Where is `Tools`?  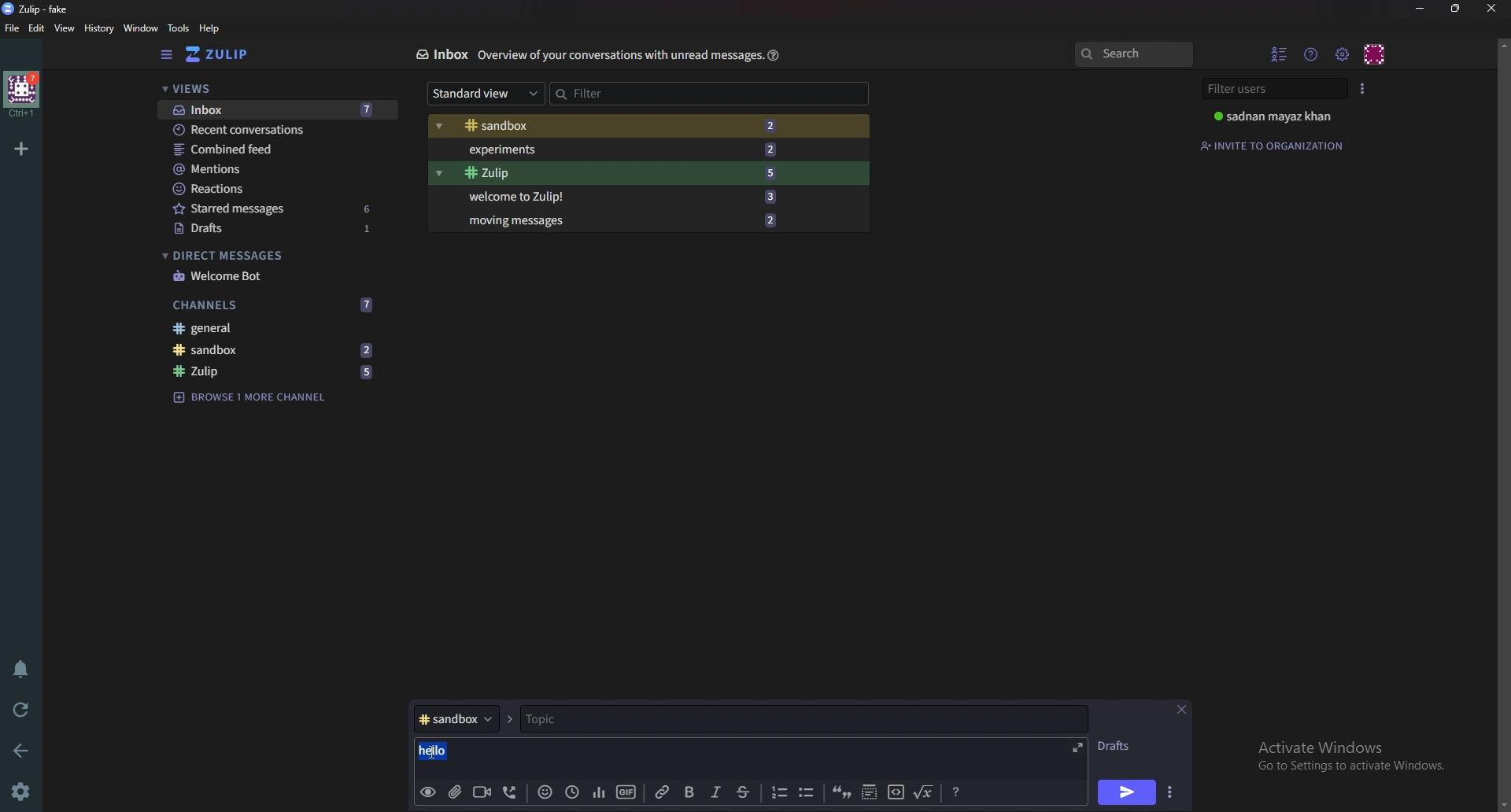 Tools is located at coordinates (180, 28).